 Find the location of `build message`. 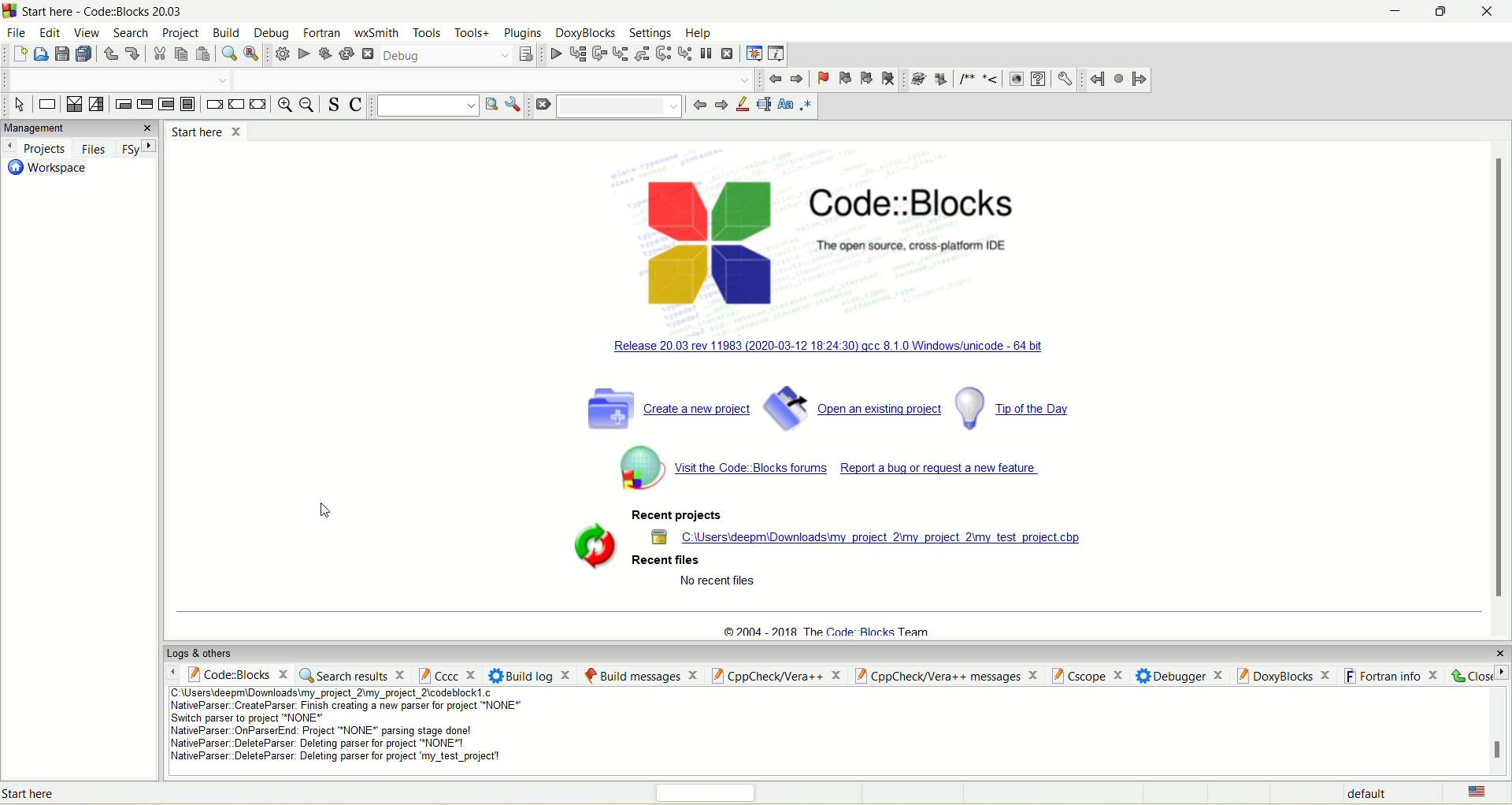

build message is located at coordinates (648, 677).